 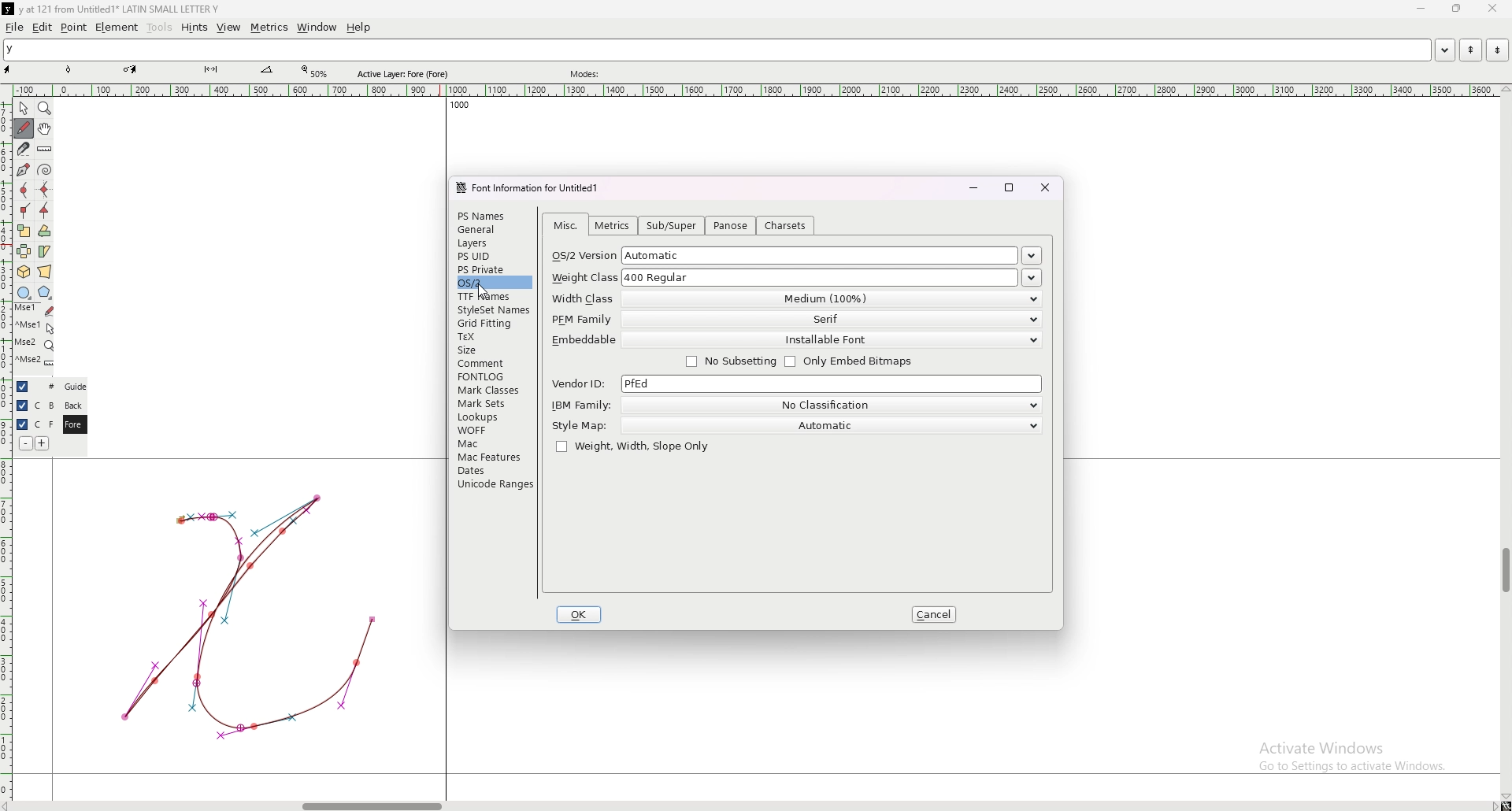 What do you see at coordinates (795, 341) in the screenshot?
I see `embeddable installable font` at bounding box center [795, 341].